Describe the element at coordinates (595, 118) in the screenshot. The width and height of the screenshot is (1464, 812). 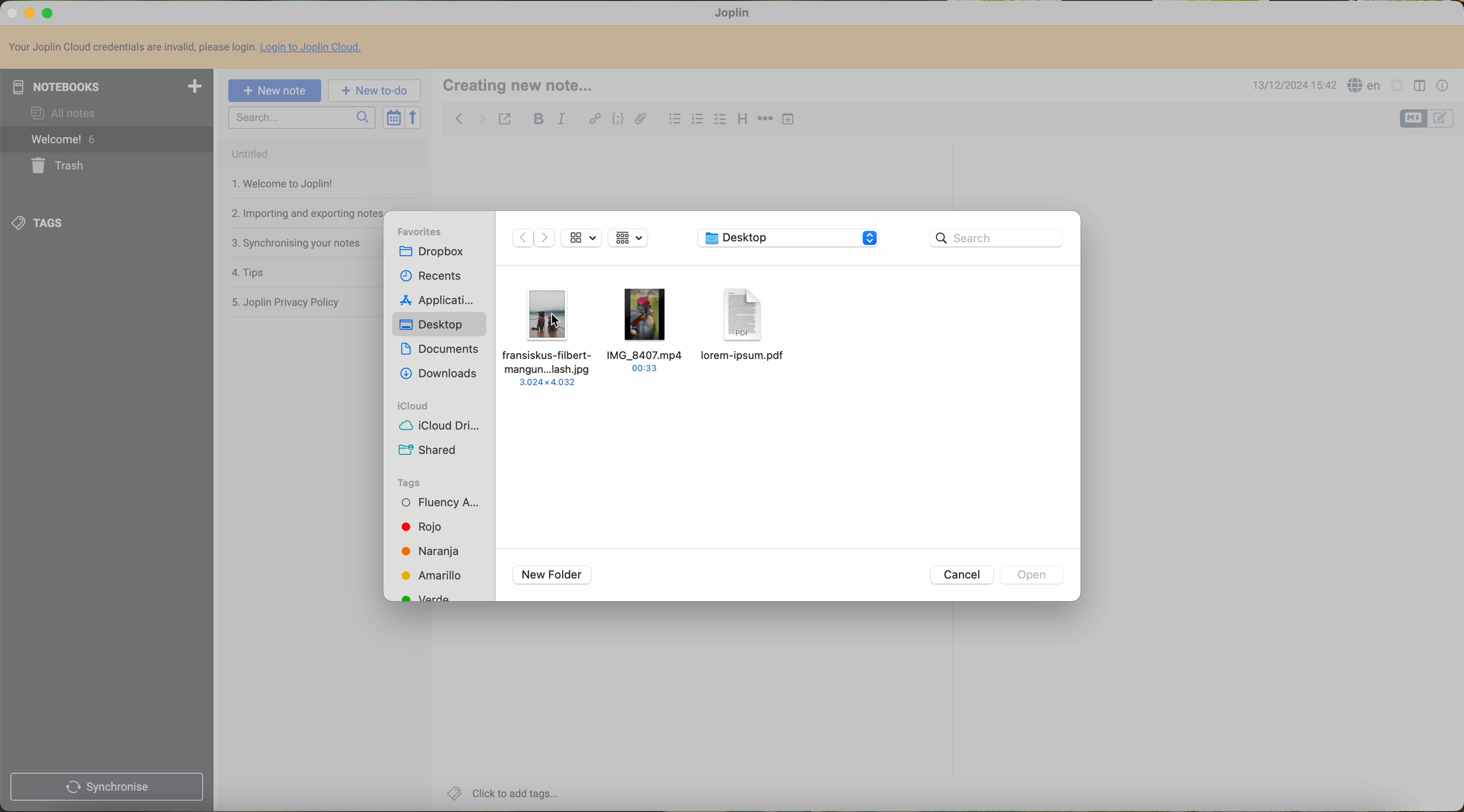
I see `hyperlink` at that location.